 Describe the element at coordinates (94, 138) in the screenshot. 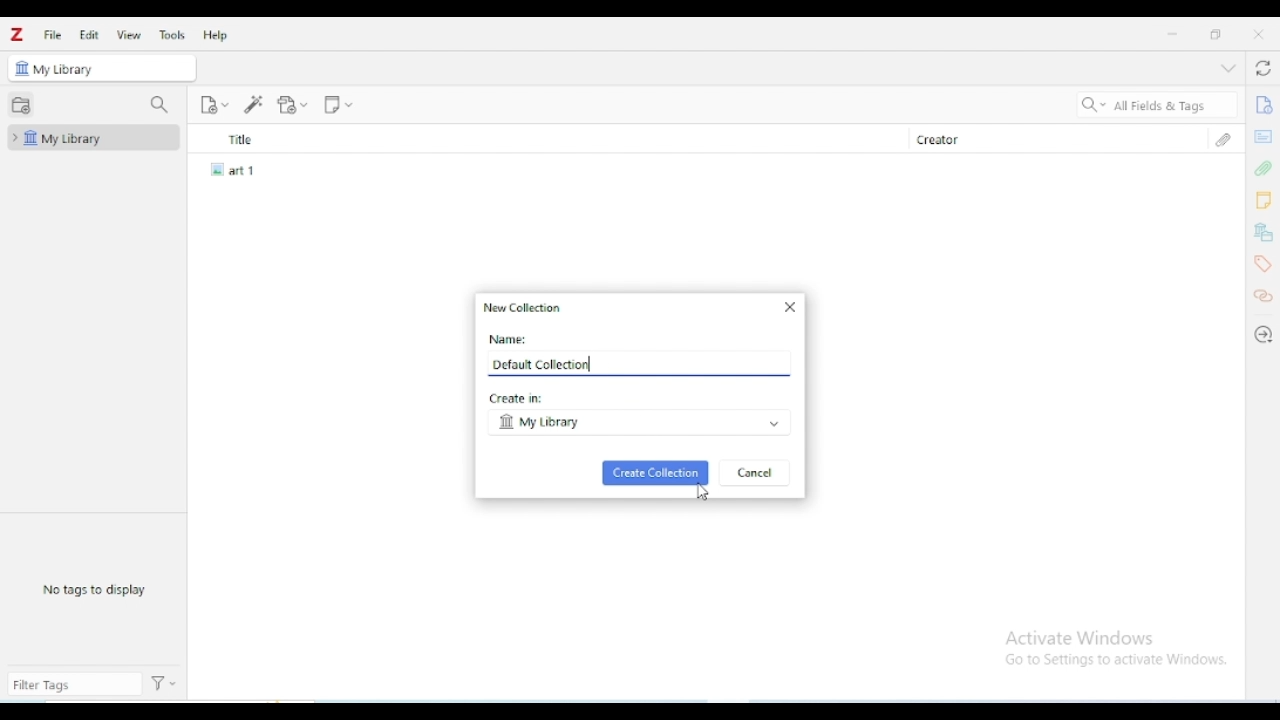

I see `my library` at that location.